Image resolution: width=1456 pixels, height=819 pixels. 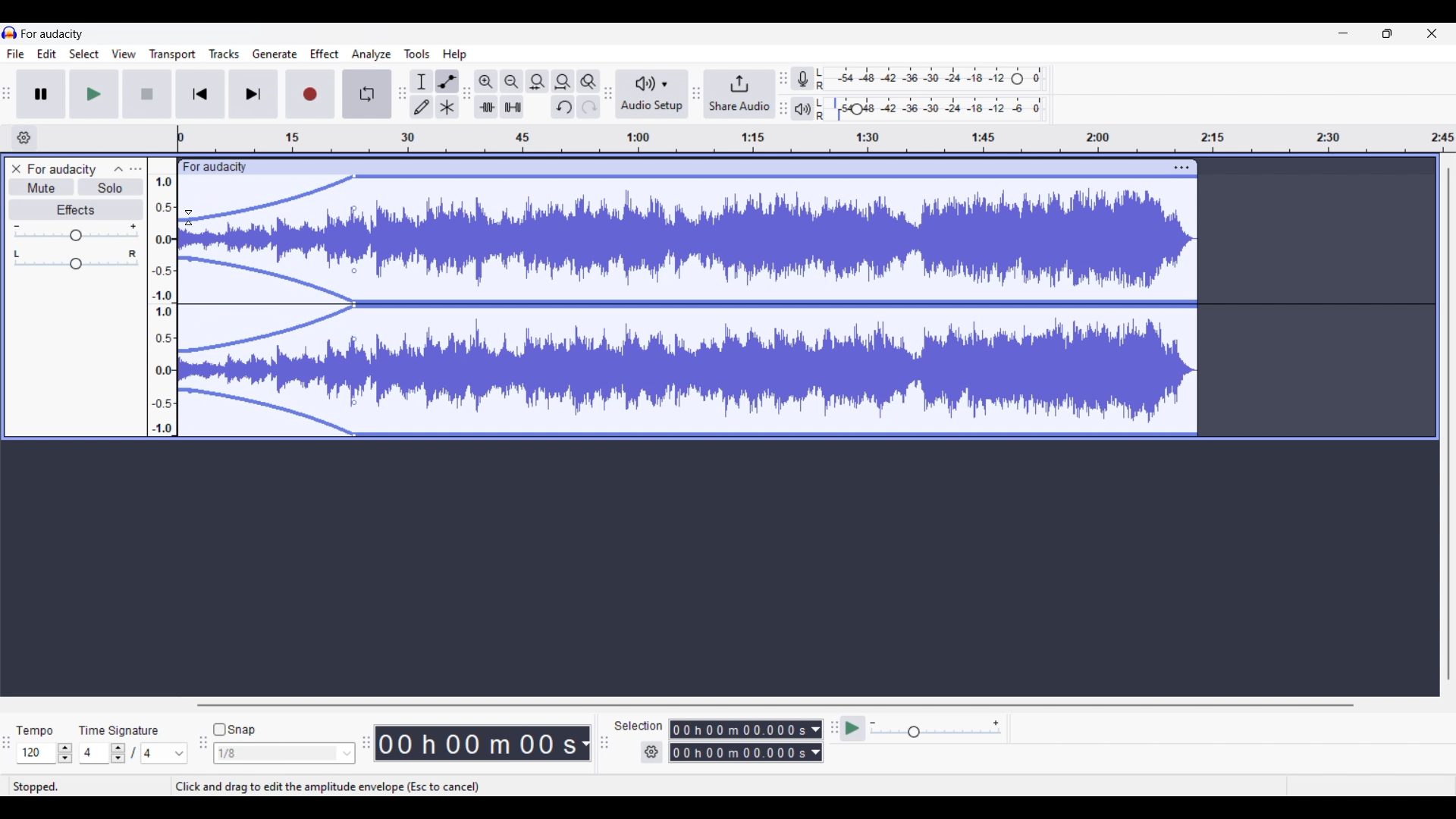 I want to click on Settings, so click(x=652, y=752).